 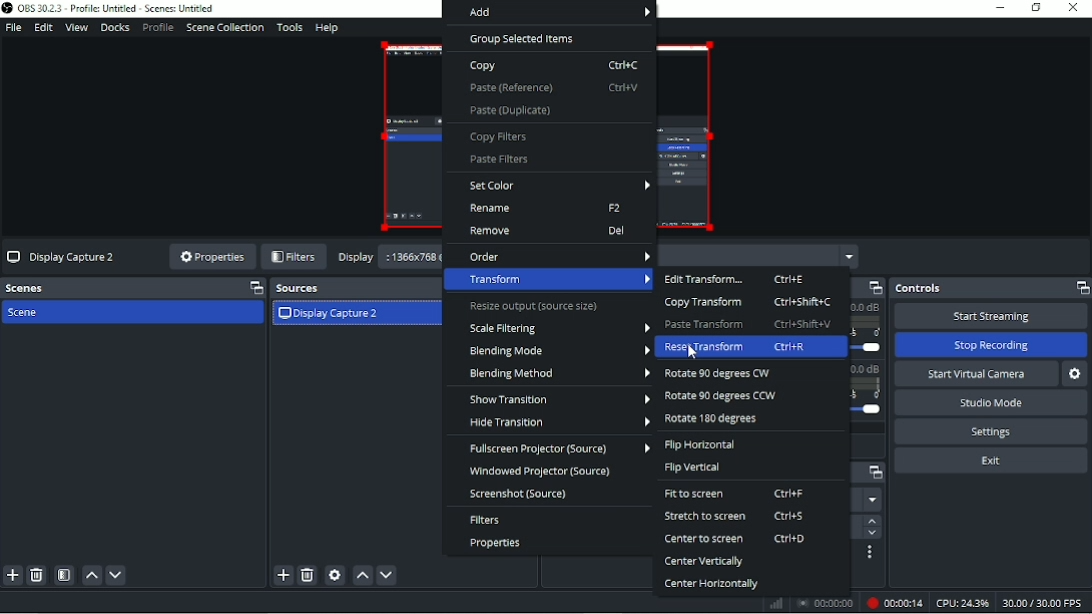 I want to click on Hide transition, so click(x=558, y=422).